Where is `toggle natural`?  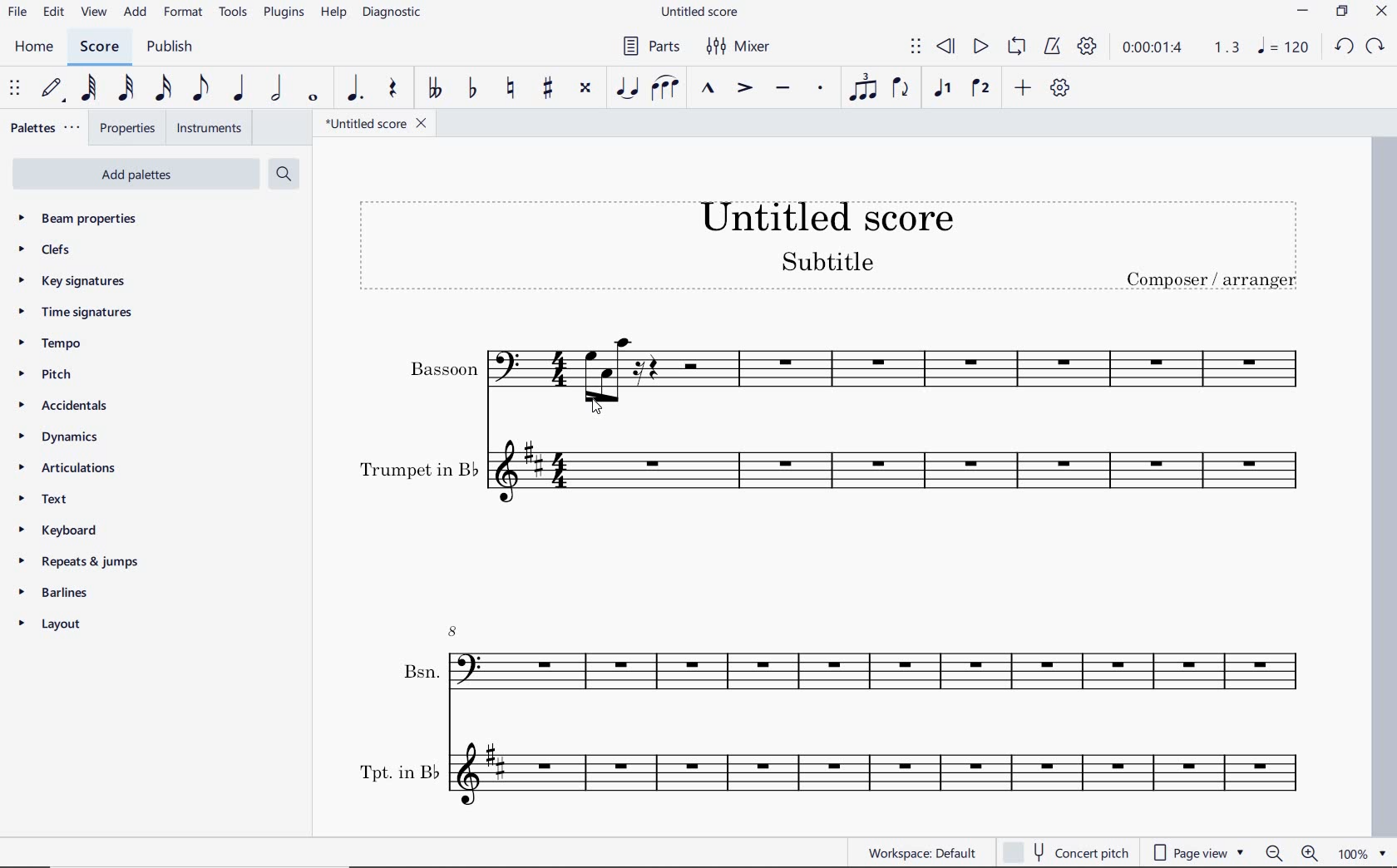
toggle natural is located at coordinates (513, 88).